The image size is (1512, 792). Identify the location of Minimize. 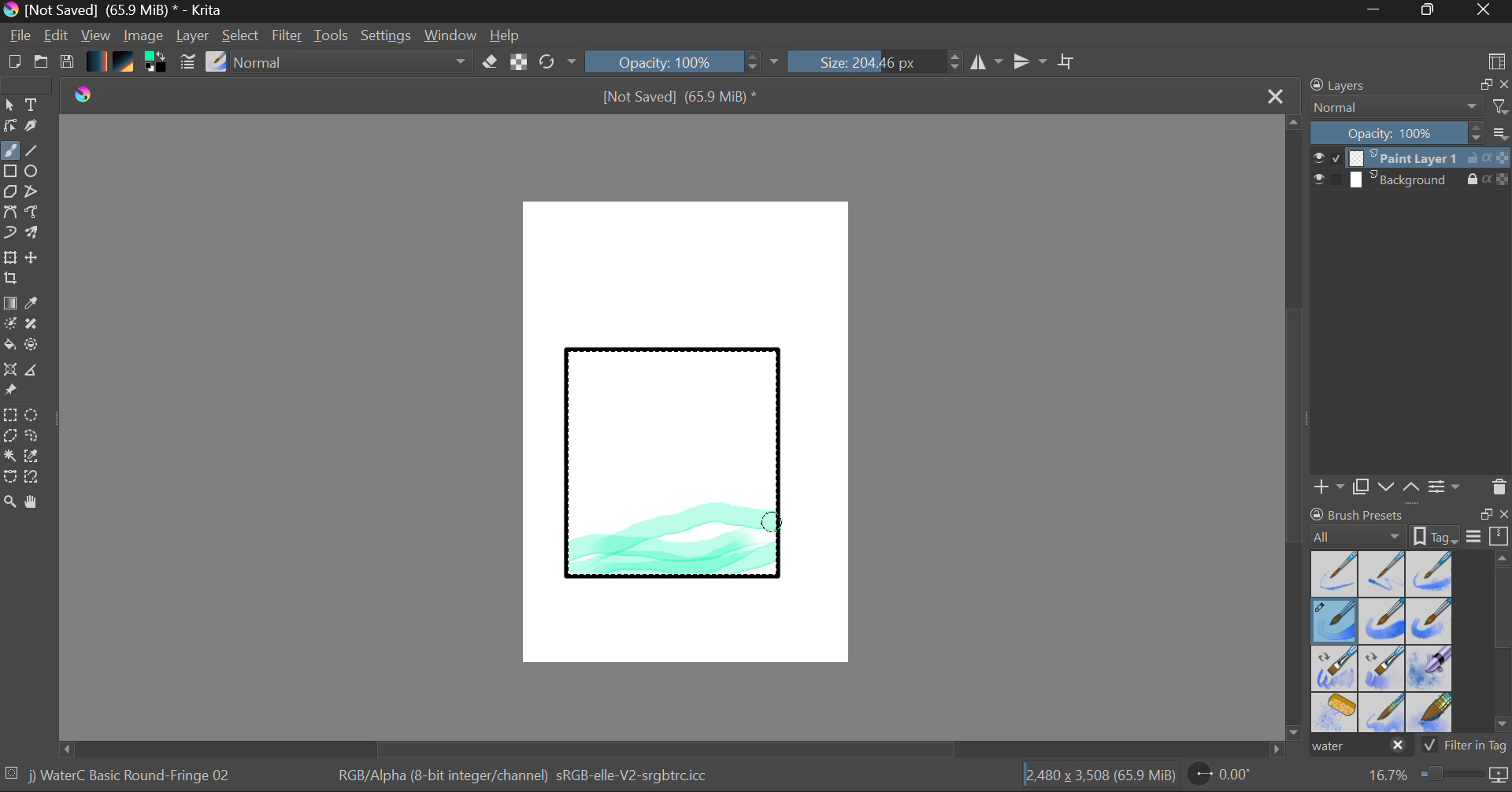
(1431, 11).